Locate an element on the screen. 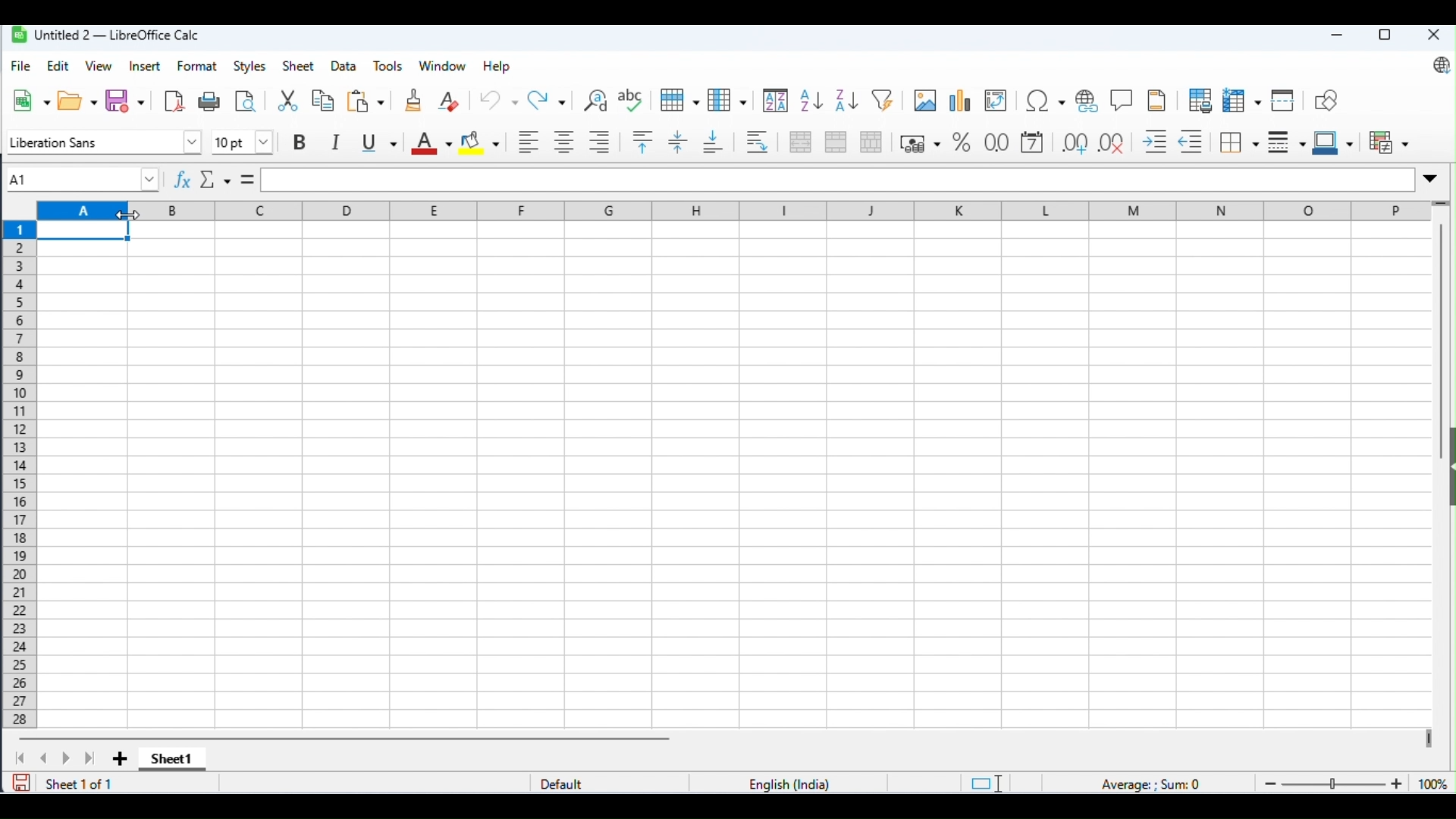 Image resolution: width=1456 pixels, height=819 pixels. sort is located at coordinates (774, 101).